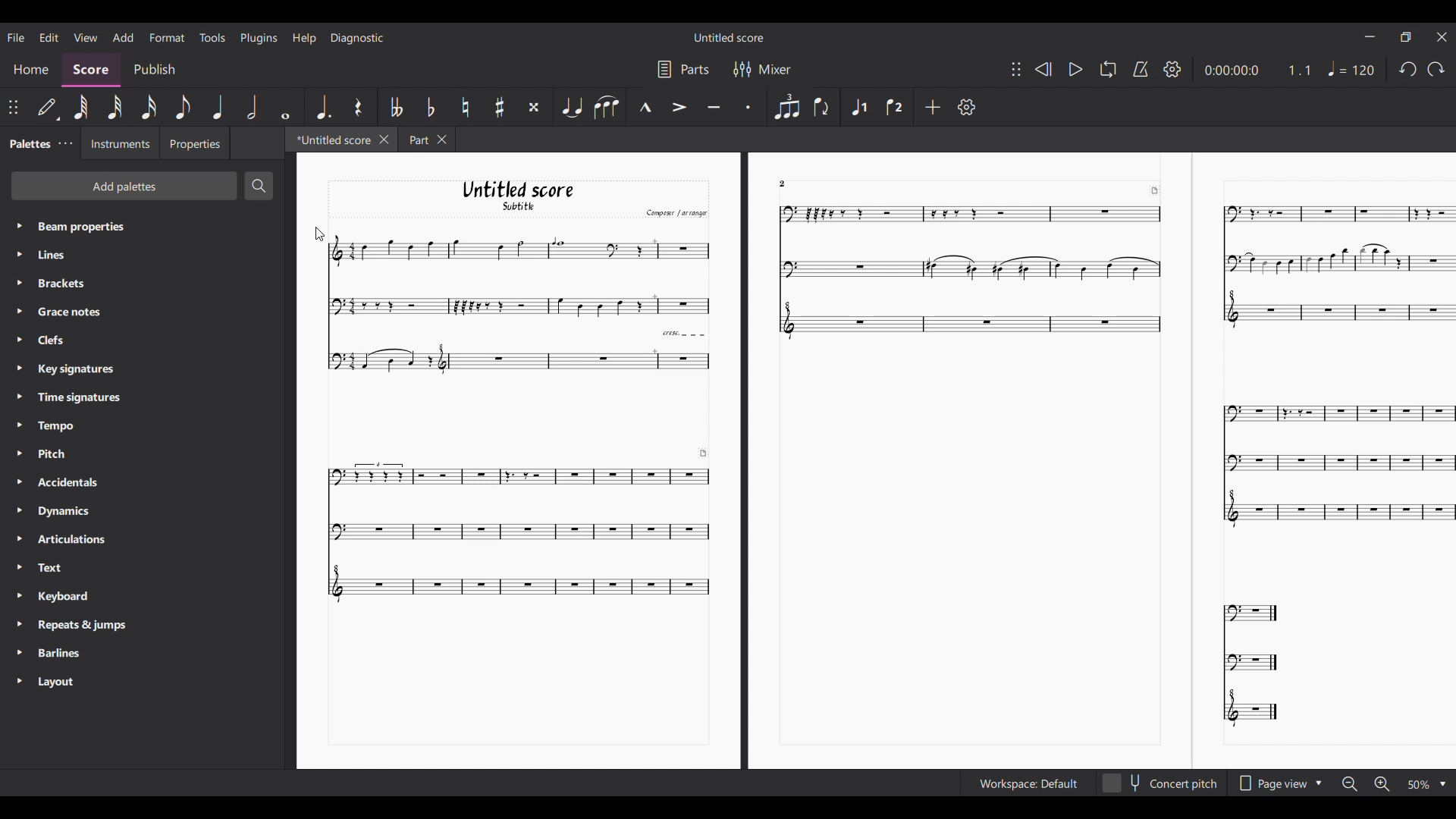 The image size is (1456, 819). What do you see at coordinates (92, 71) in the screenshot?
I see `Score ` at bounding box center [92, 71].